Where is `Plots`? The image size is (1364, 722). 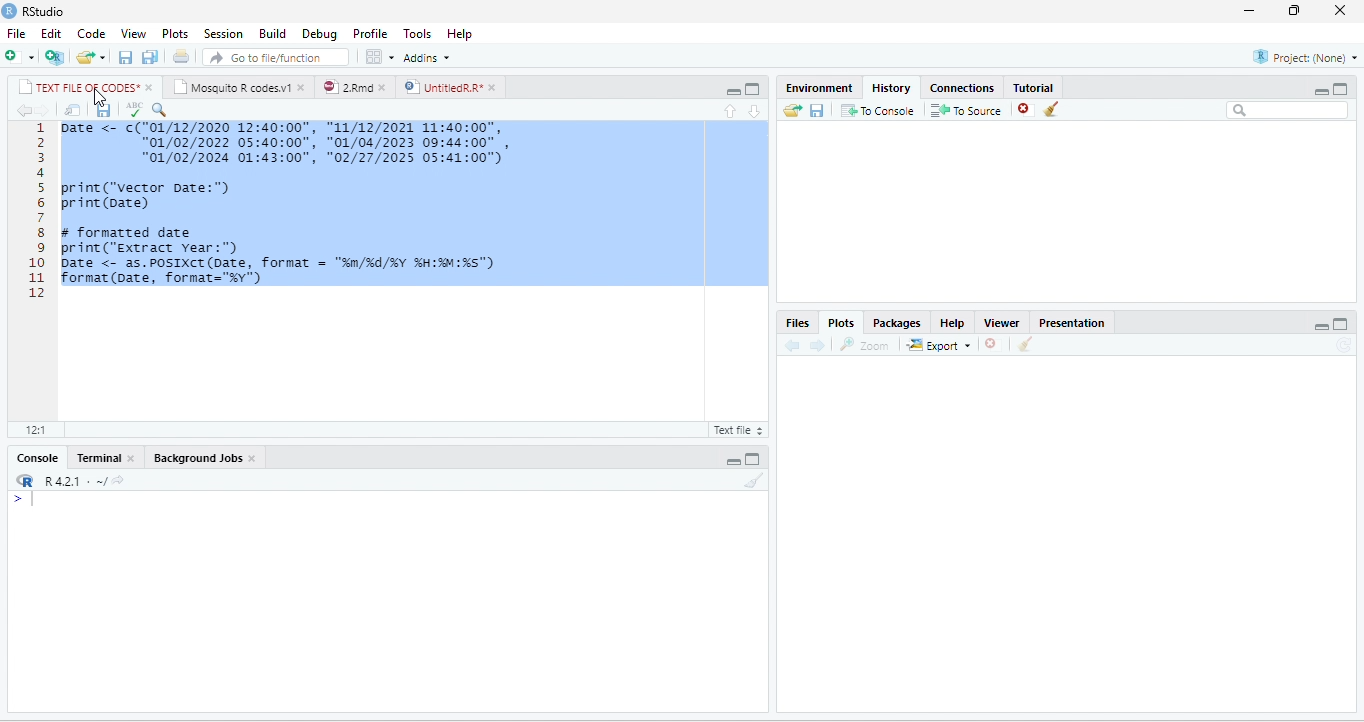
Plots is located at coordinates (841, 322).